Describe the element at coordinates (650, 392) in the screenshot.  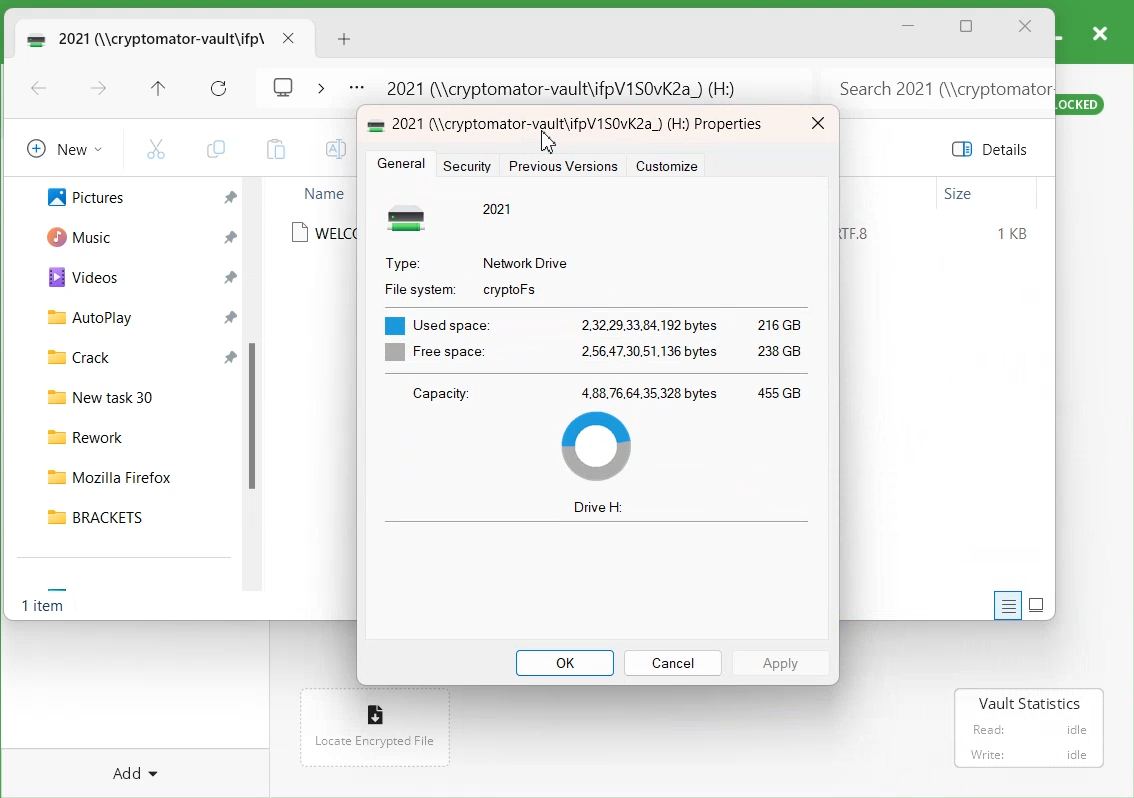
I see `4.88,76.64.35.328 bytes.` at that location.